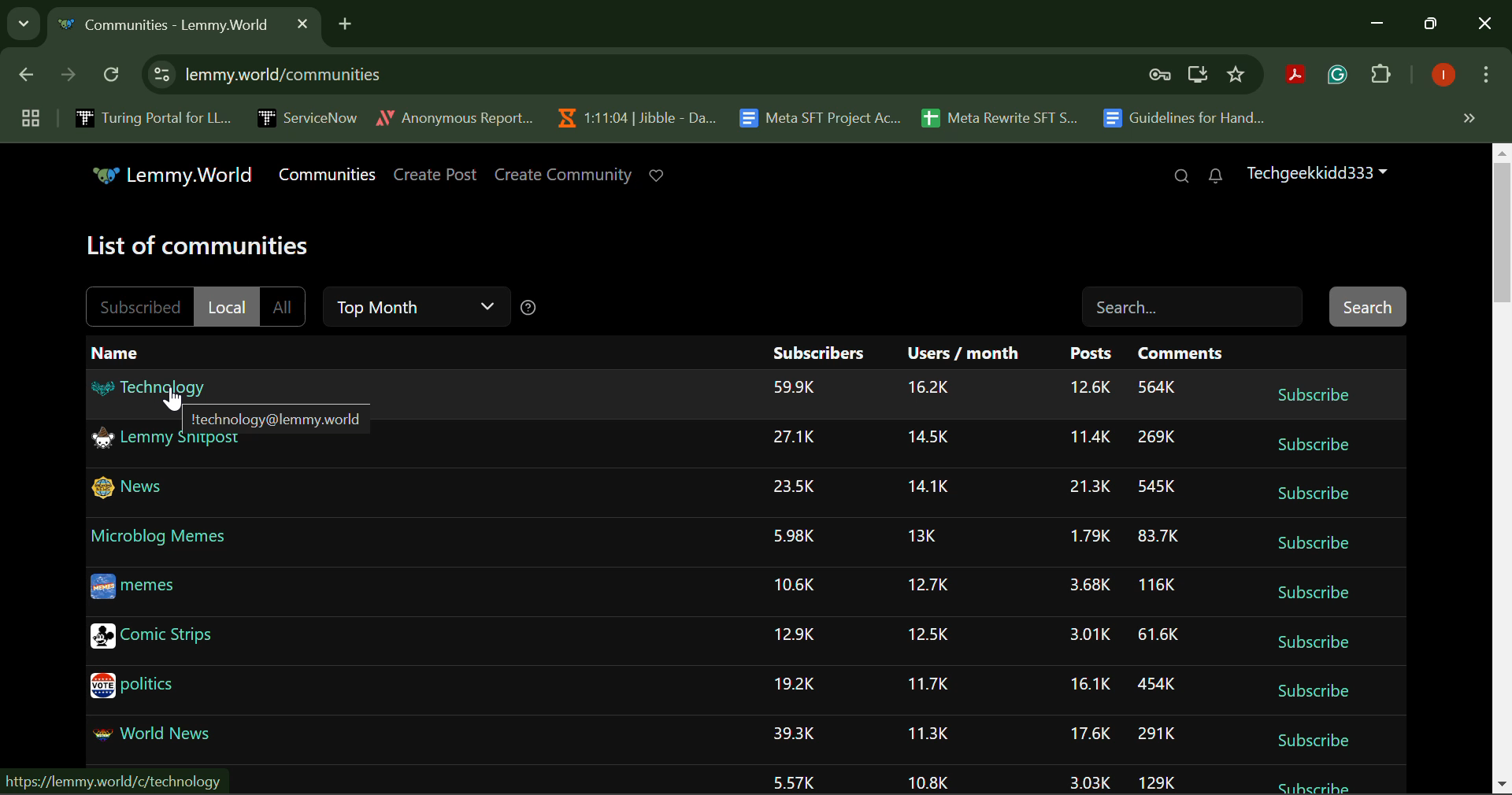 This screenshot has width=1512, height=795. I want to click on Browser Extension, so click(1299, 76).